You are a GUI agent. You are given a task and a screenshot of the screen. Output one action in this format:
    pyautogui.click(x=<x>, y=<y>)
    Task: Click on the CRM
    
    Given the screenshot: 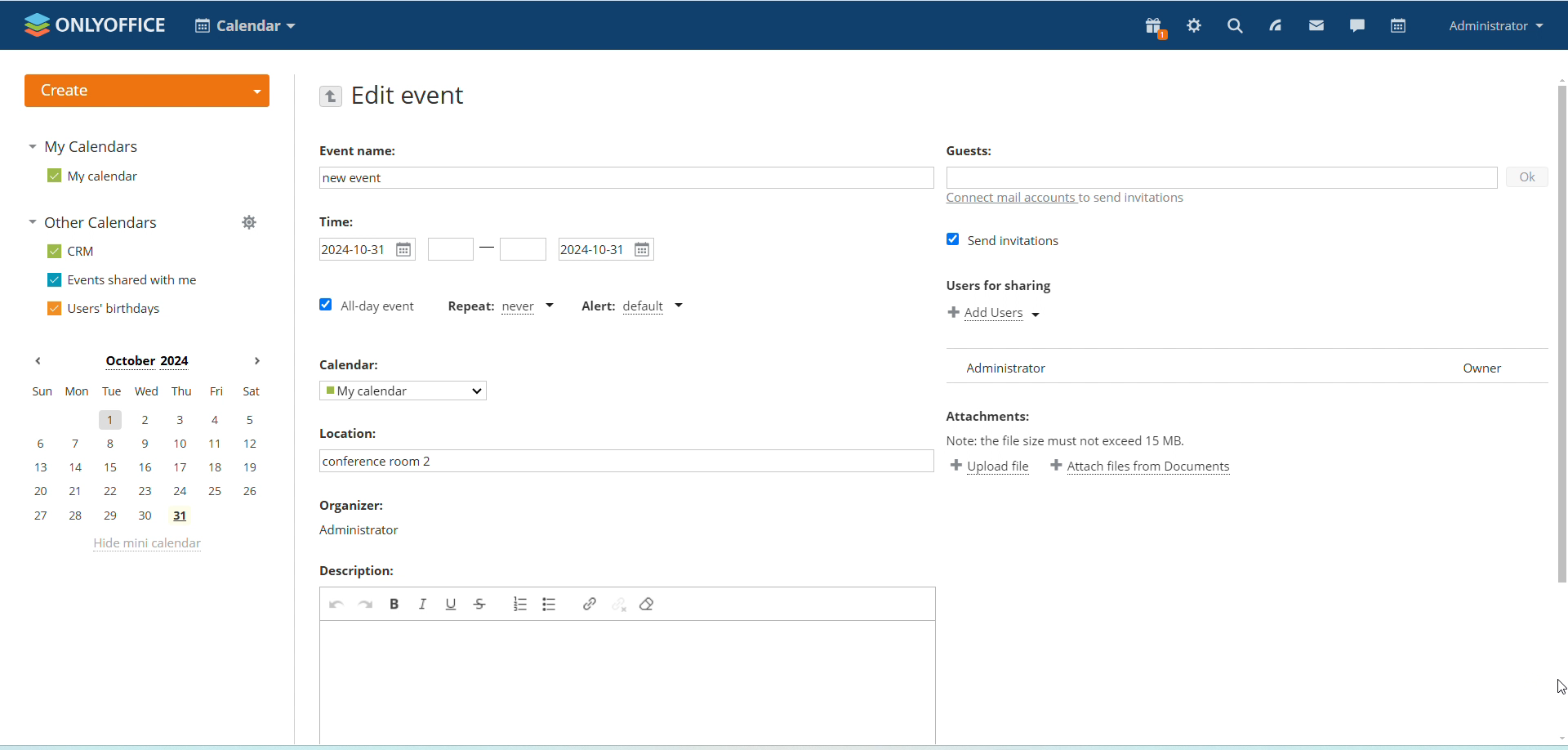 What is the action you would take?
    pyautogui.click(x=73, y=252)
    